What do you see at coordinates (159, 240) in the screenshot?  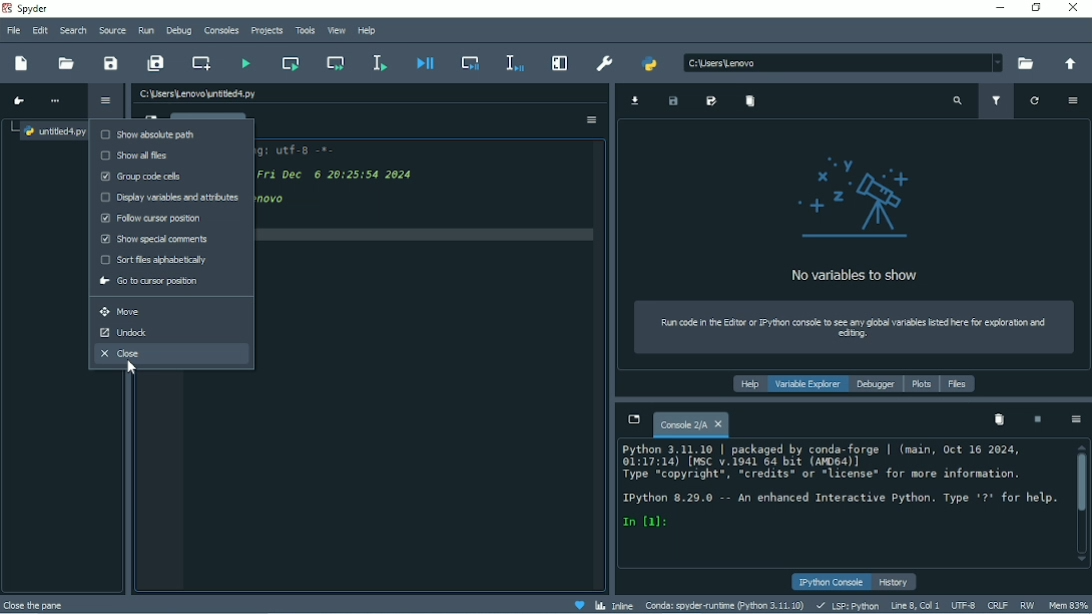 I see `Show special comments` at bounding box center [159, 240].